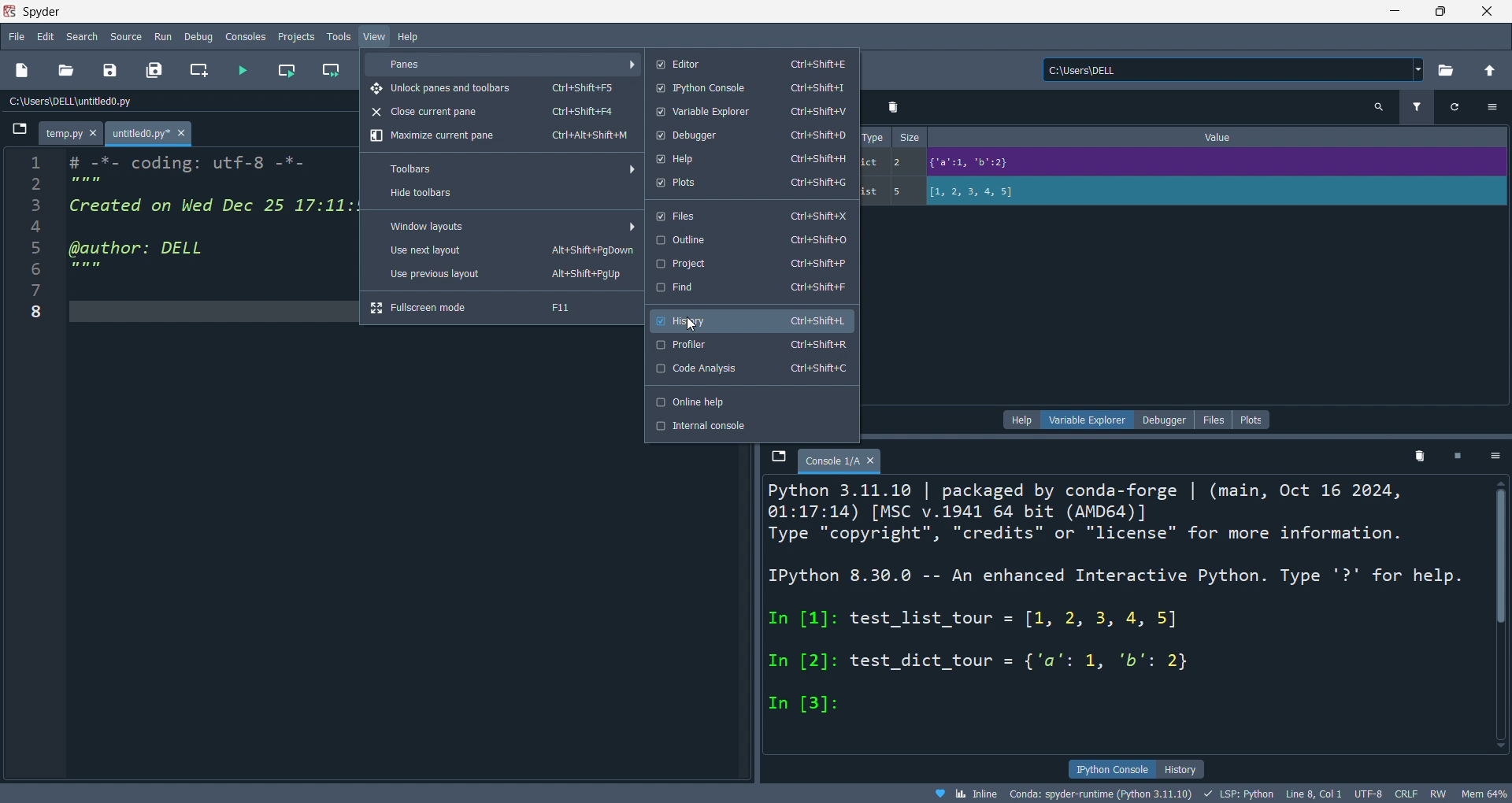 The height and width of the screenshot is (803, 1512). Describe the element at coordinates (872, 192) in the screenshot. I see `list` at that location.